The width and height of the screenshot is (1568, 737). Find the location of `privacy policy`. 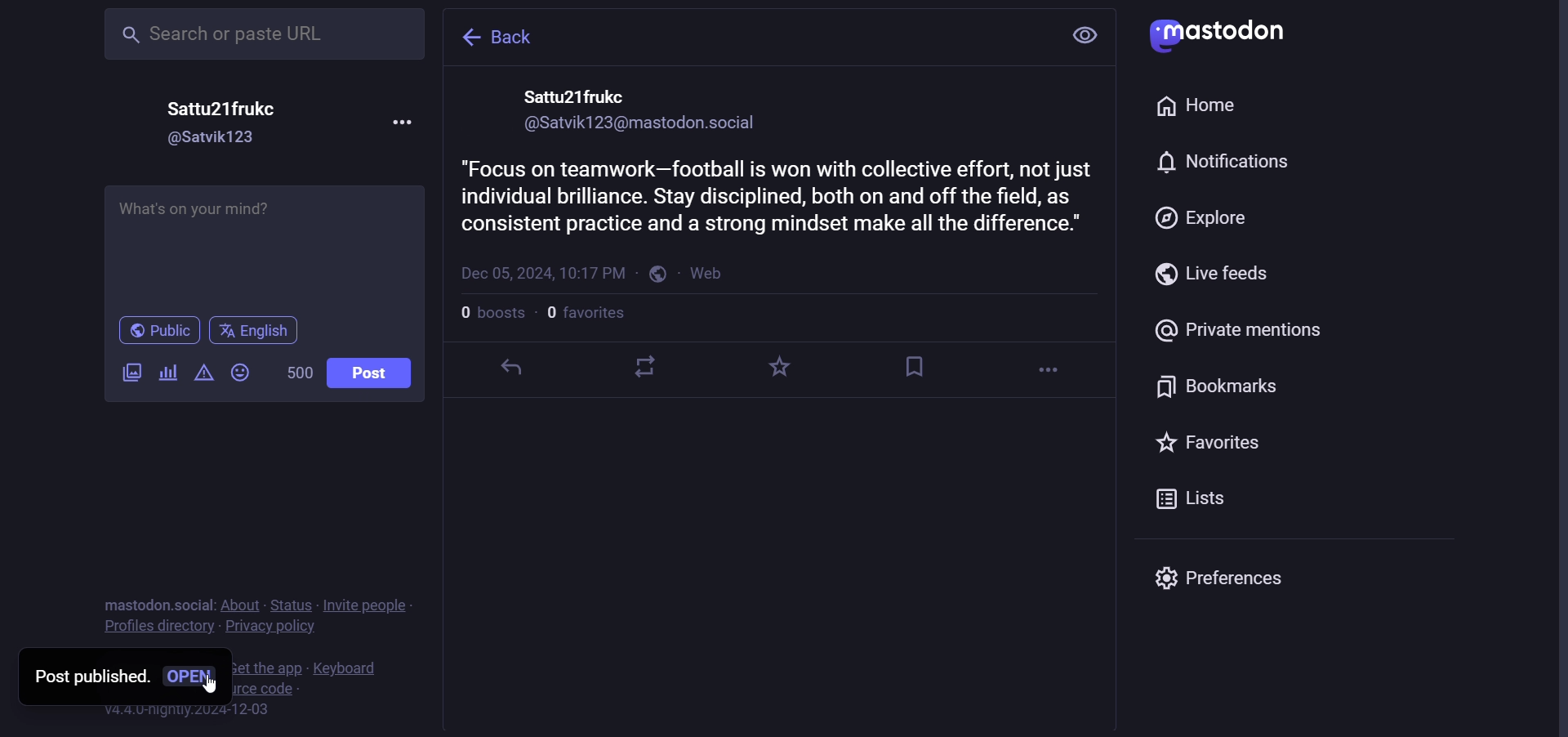

privacy policy is located at coordinates (269, 629).